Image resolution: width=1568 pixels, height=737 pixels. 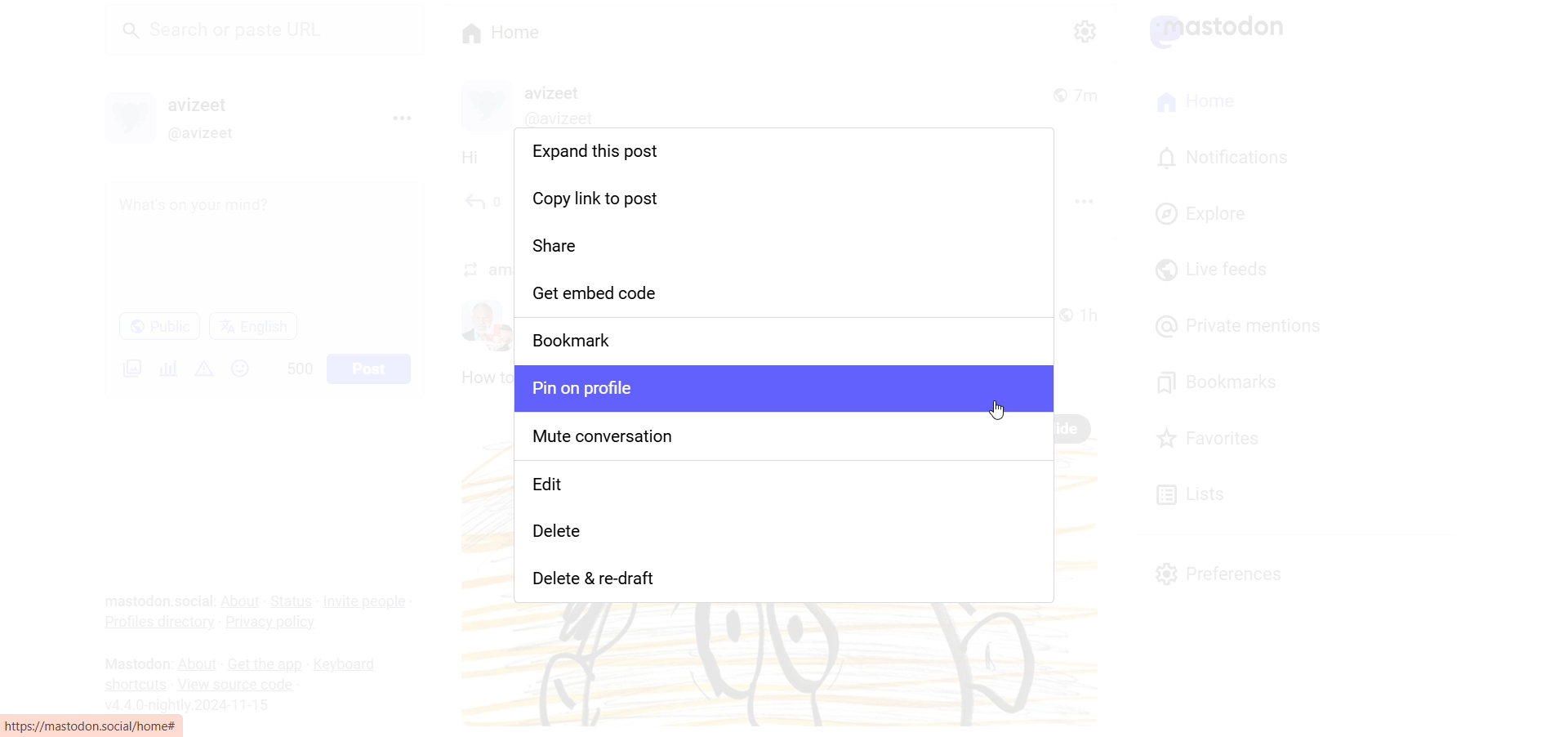 What do you see at coordinates (1240, 326) in the screenshot?
I see `Private Mentions` at bounding box center [1240, 326].